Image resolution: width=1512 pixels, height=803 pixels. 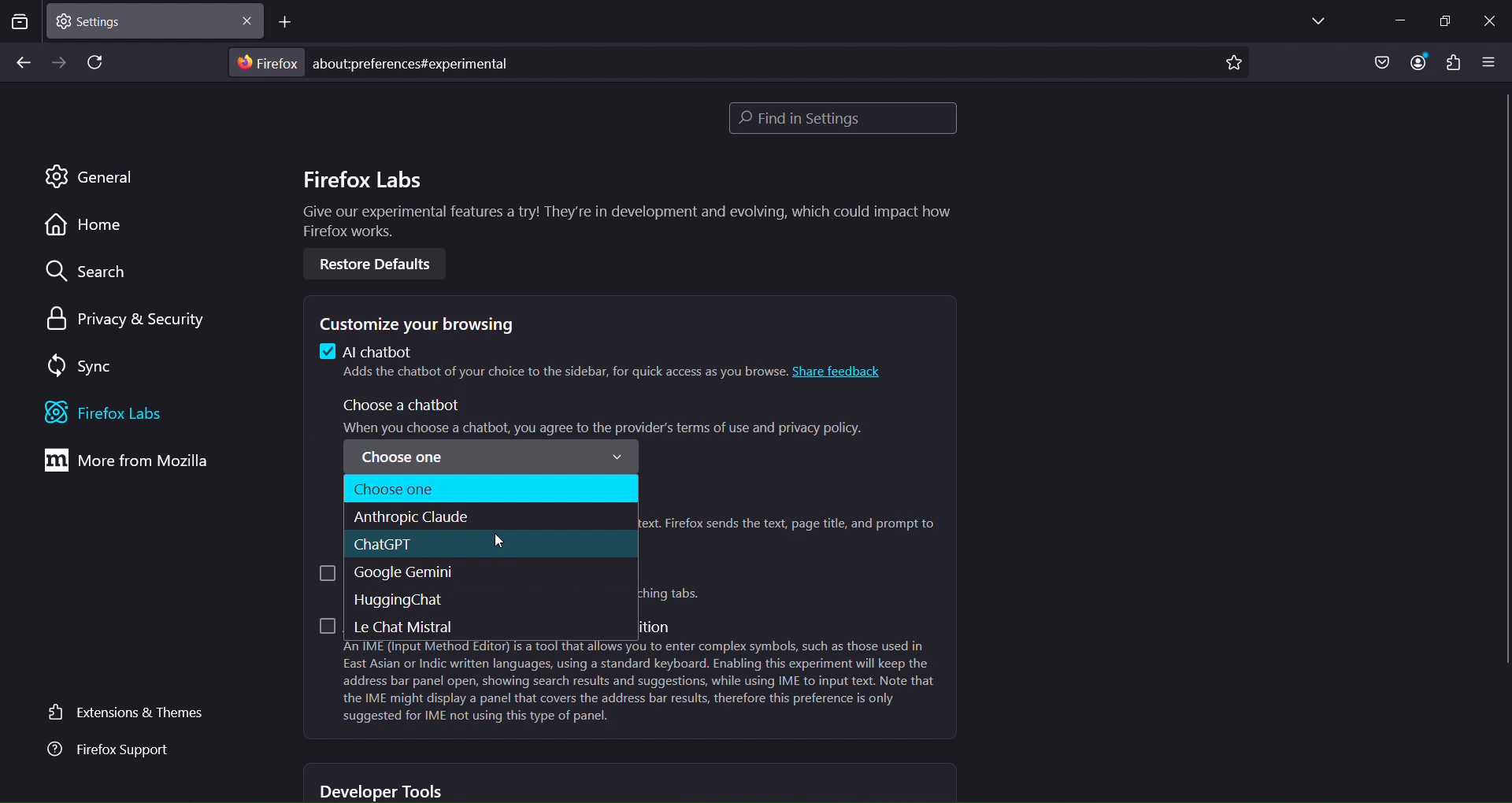 What do you see at coordinates (1313, 22) in the screenshot?
I see `list all tabs` at bounding box center [1313, 22].